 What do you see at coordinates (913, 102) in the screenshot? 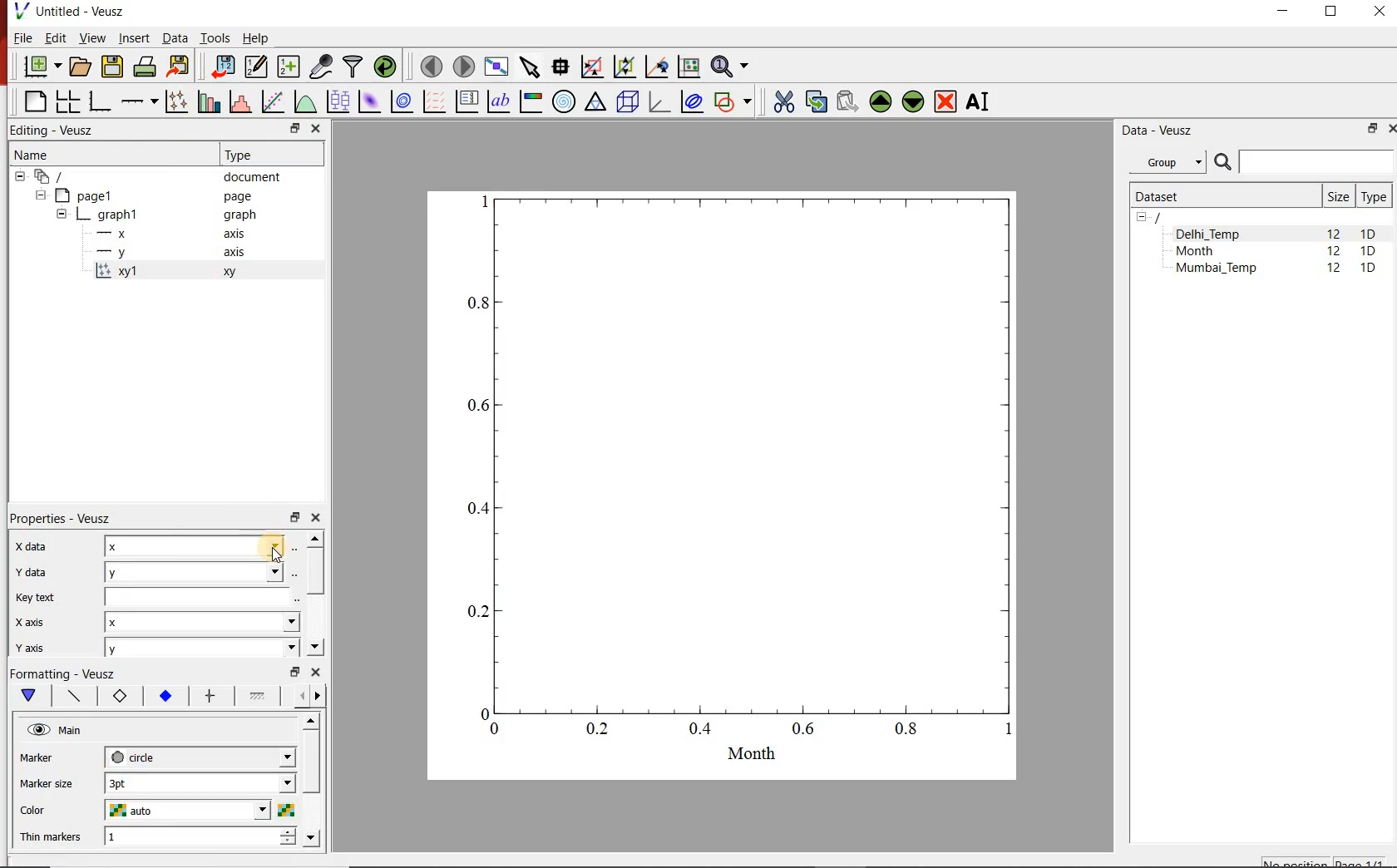
I see `move the selected widget down` at bounding box center [913, 102].